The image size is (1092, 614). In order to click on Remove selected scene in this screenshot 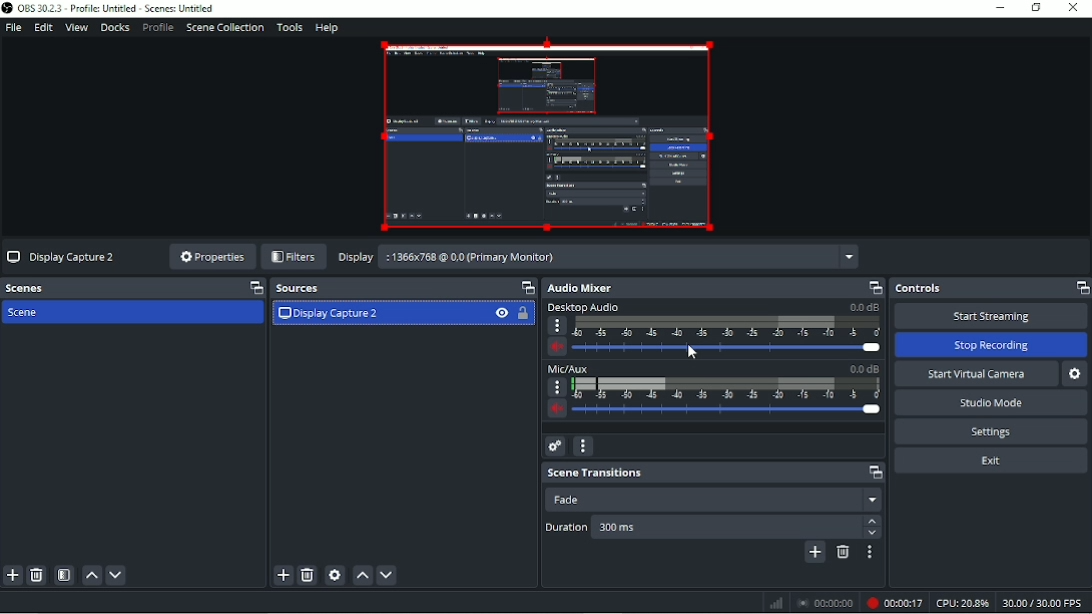, I will do `click(37, 575)`.